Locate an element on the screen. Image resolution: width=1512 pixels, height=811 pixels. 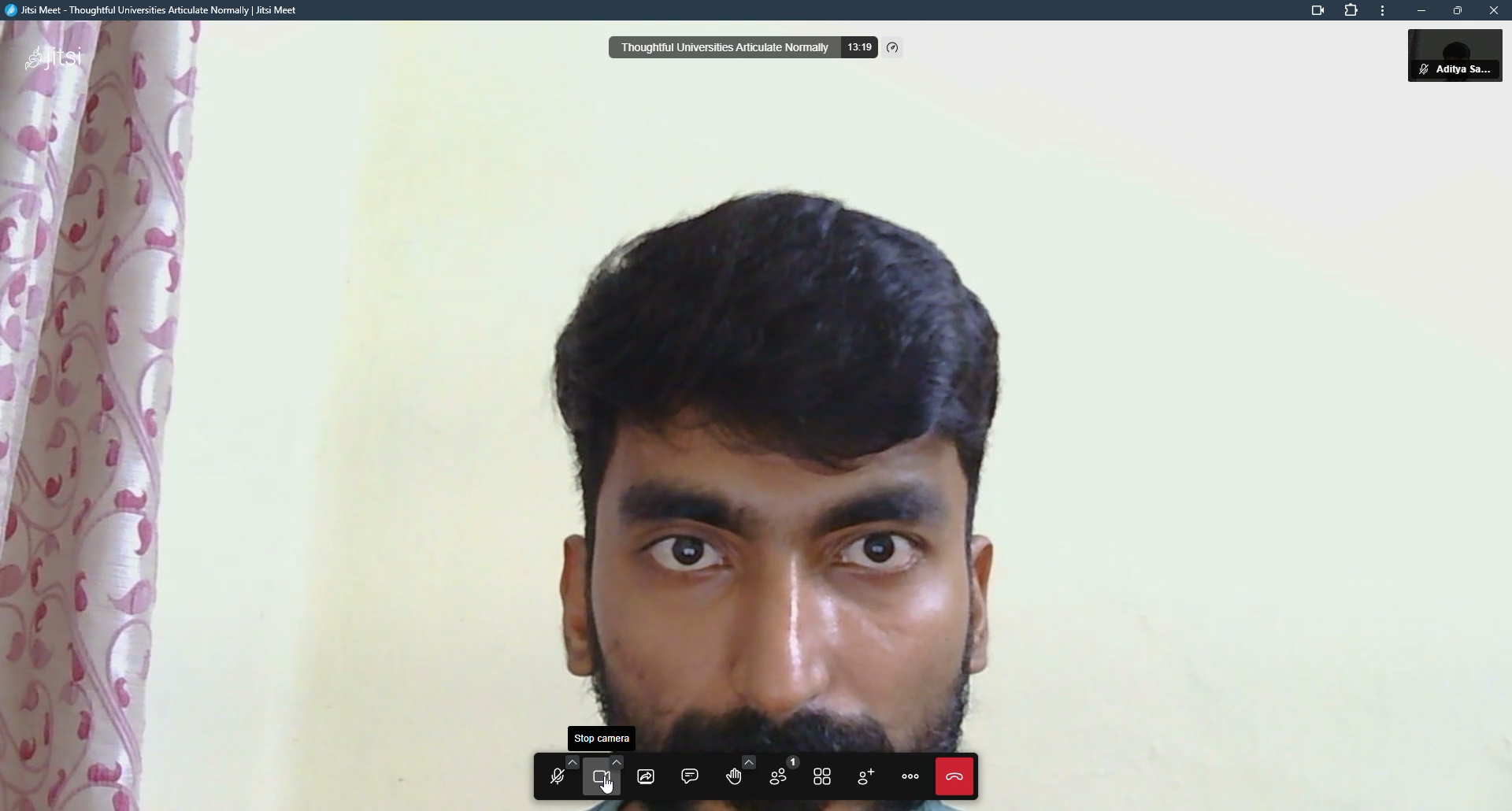
Microphone is located at coordinates (558, 776).